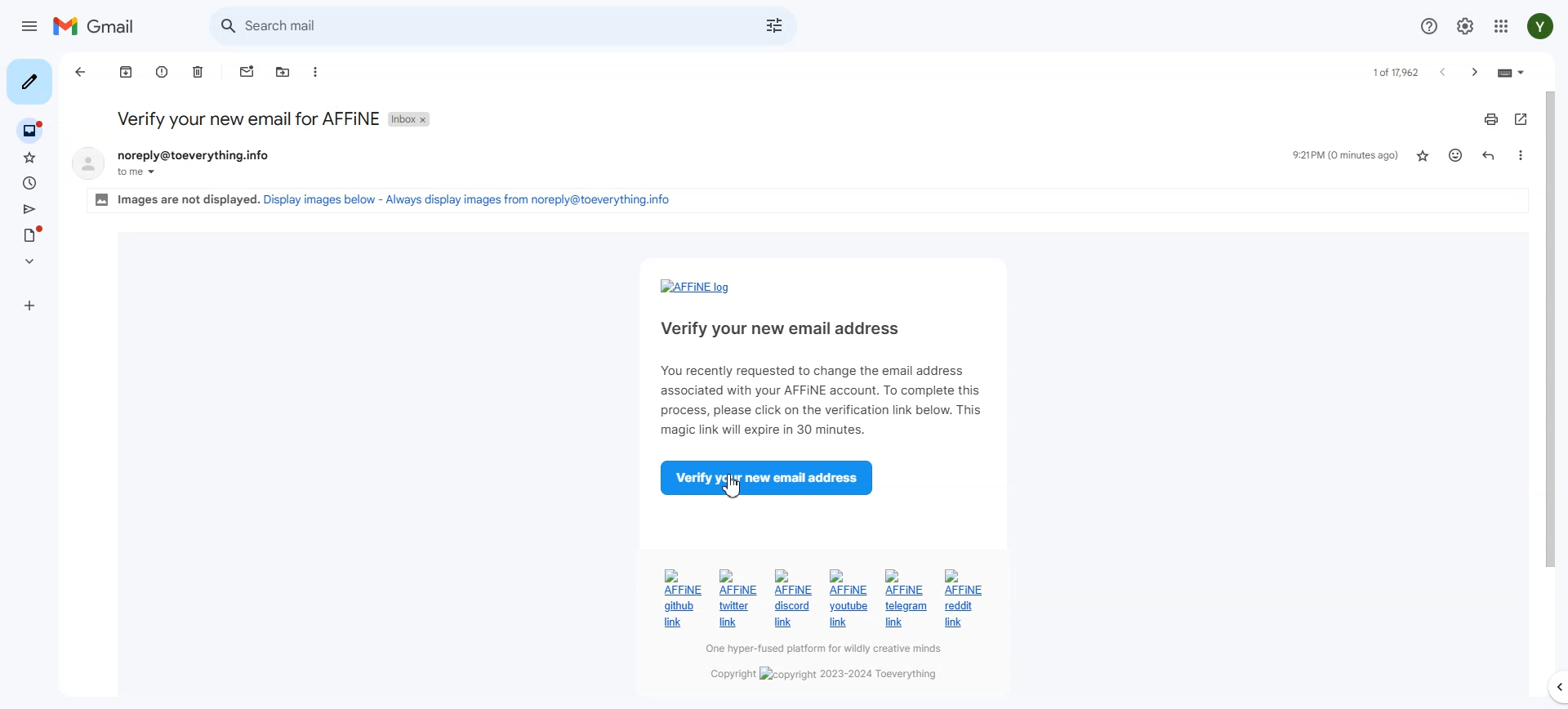 This screenshot has height=709, width=1568. What do you see at coordinates (733, 488) in the screenshot?
I see `Cursor` at bounding box center [733, 488].